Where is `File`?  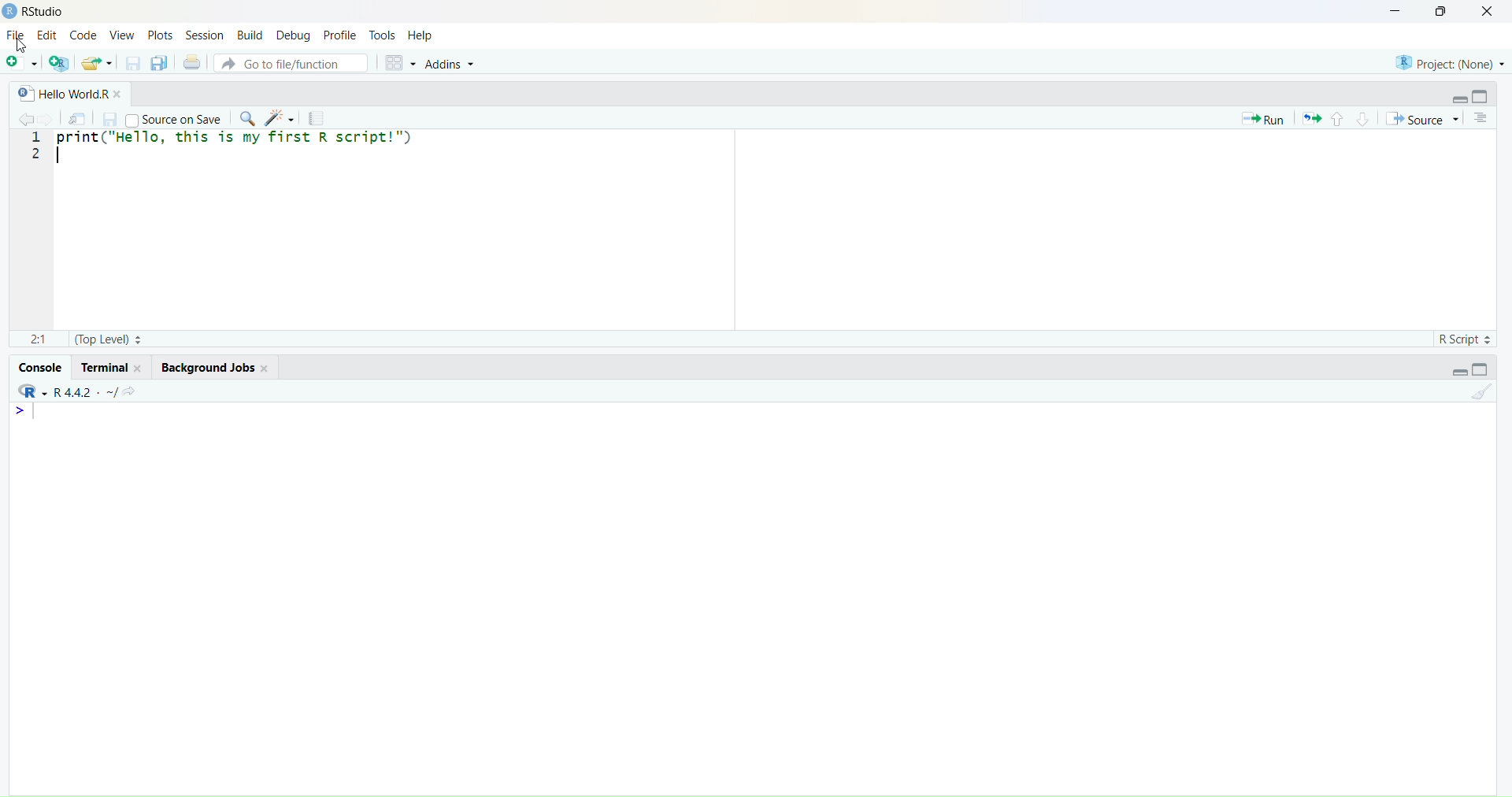
File is located at coordinates (17, 34).